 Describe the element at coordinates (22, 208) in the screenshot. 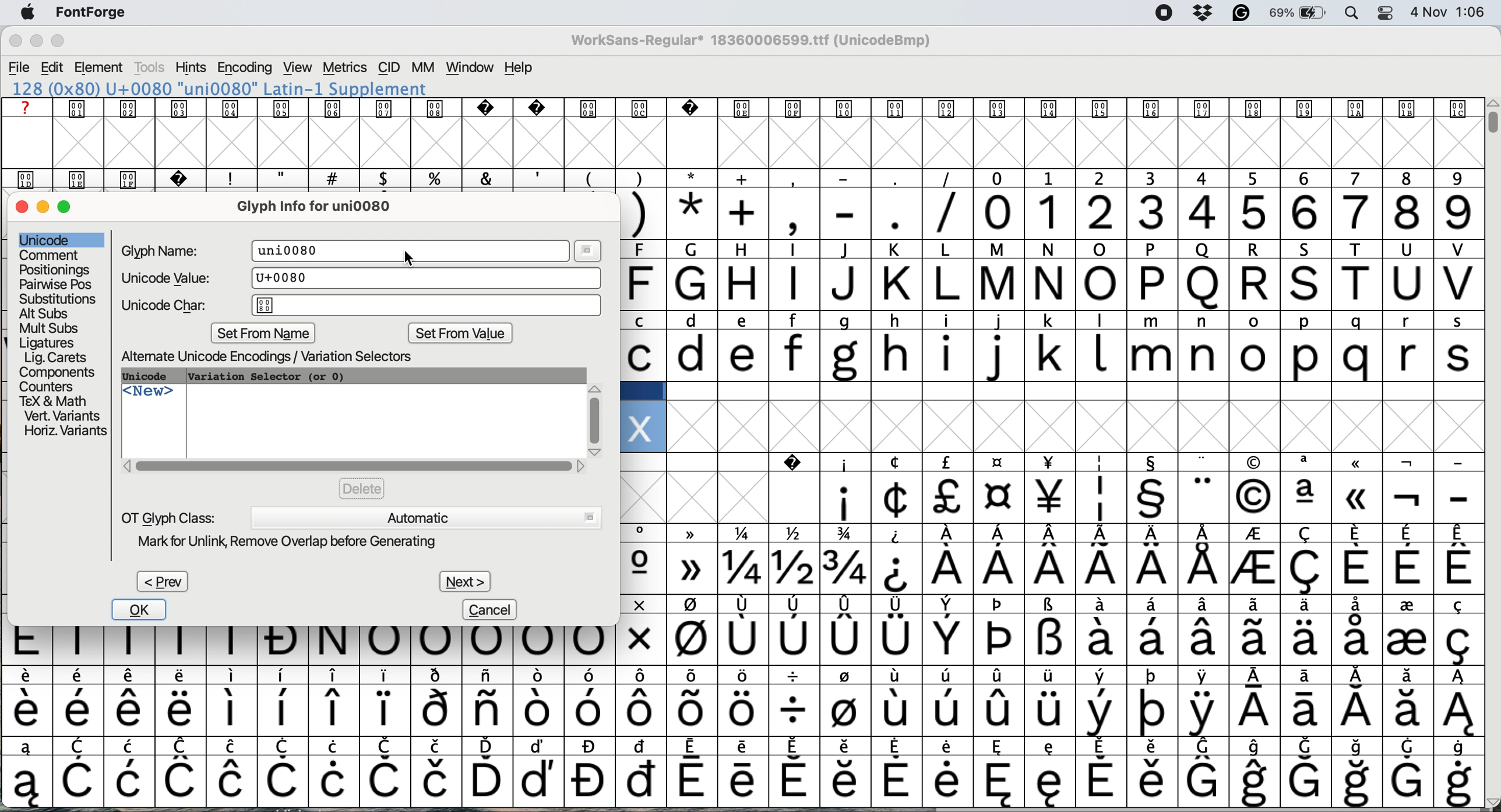

I see `close` at that location.